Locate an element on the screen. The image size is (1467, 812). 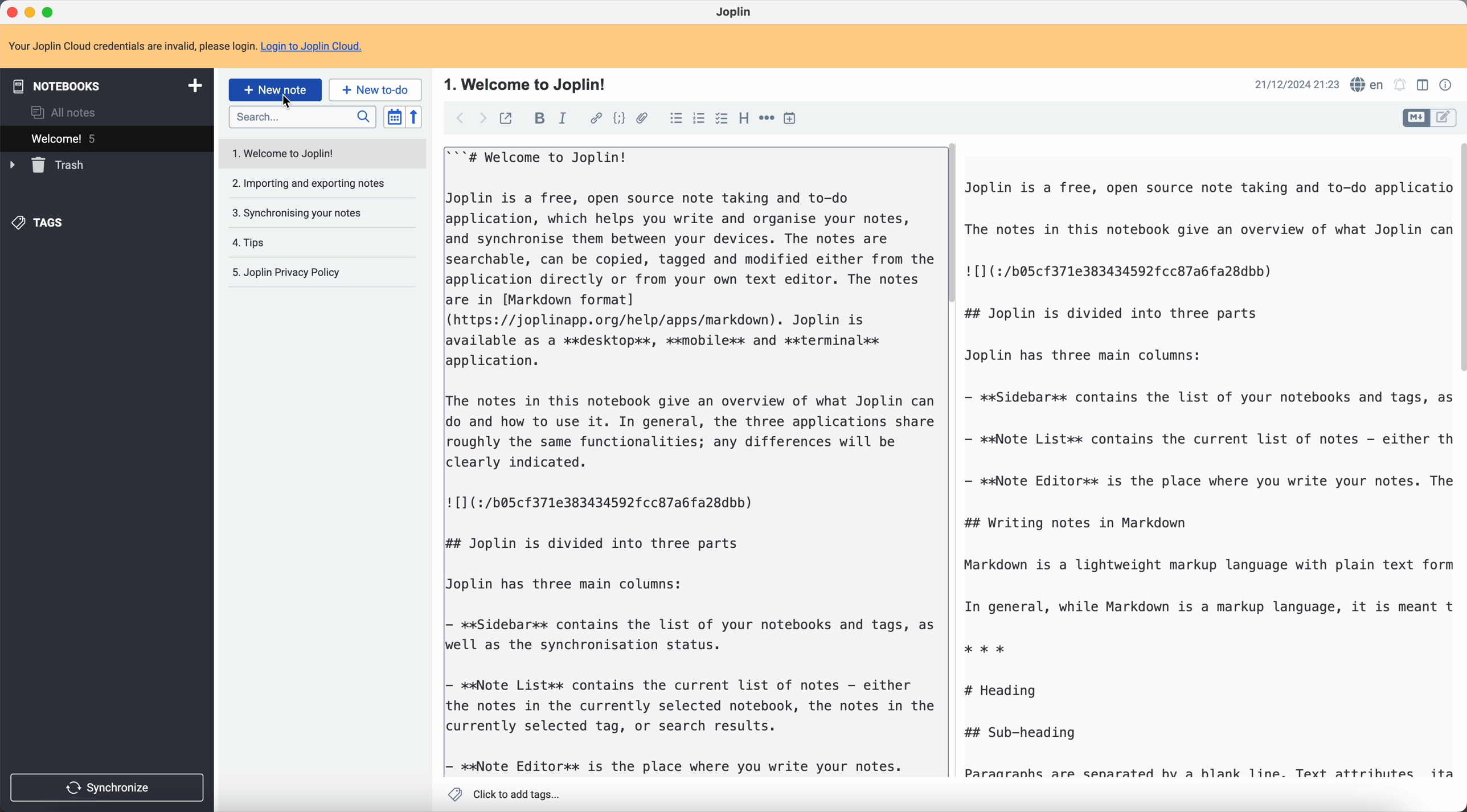
code is located at coordinates (619, 119).